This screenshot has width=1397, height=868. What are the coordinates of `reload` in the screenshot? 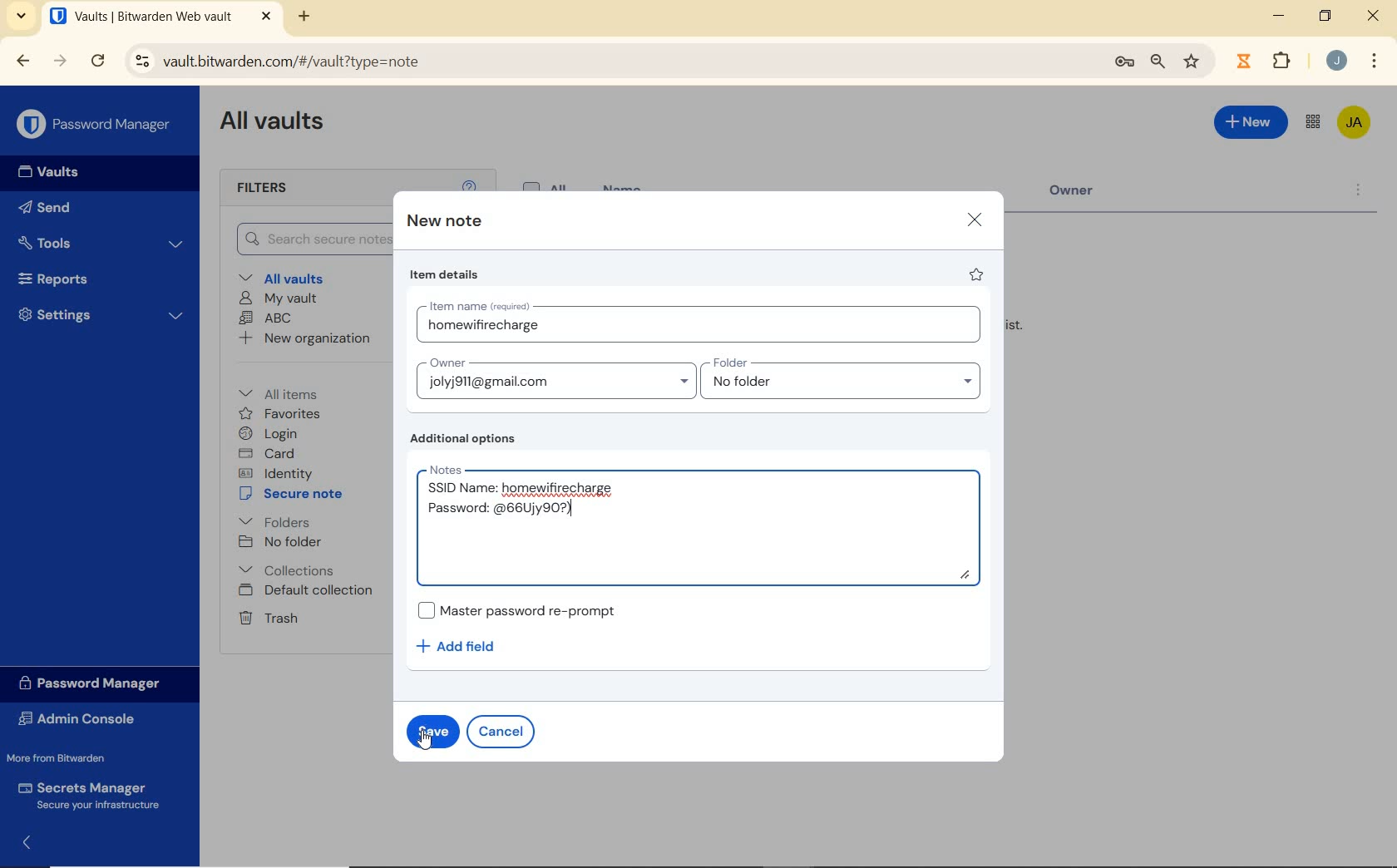 It's located at (97, 62).